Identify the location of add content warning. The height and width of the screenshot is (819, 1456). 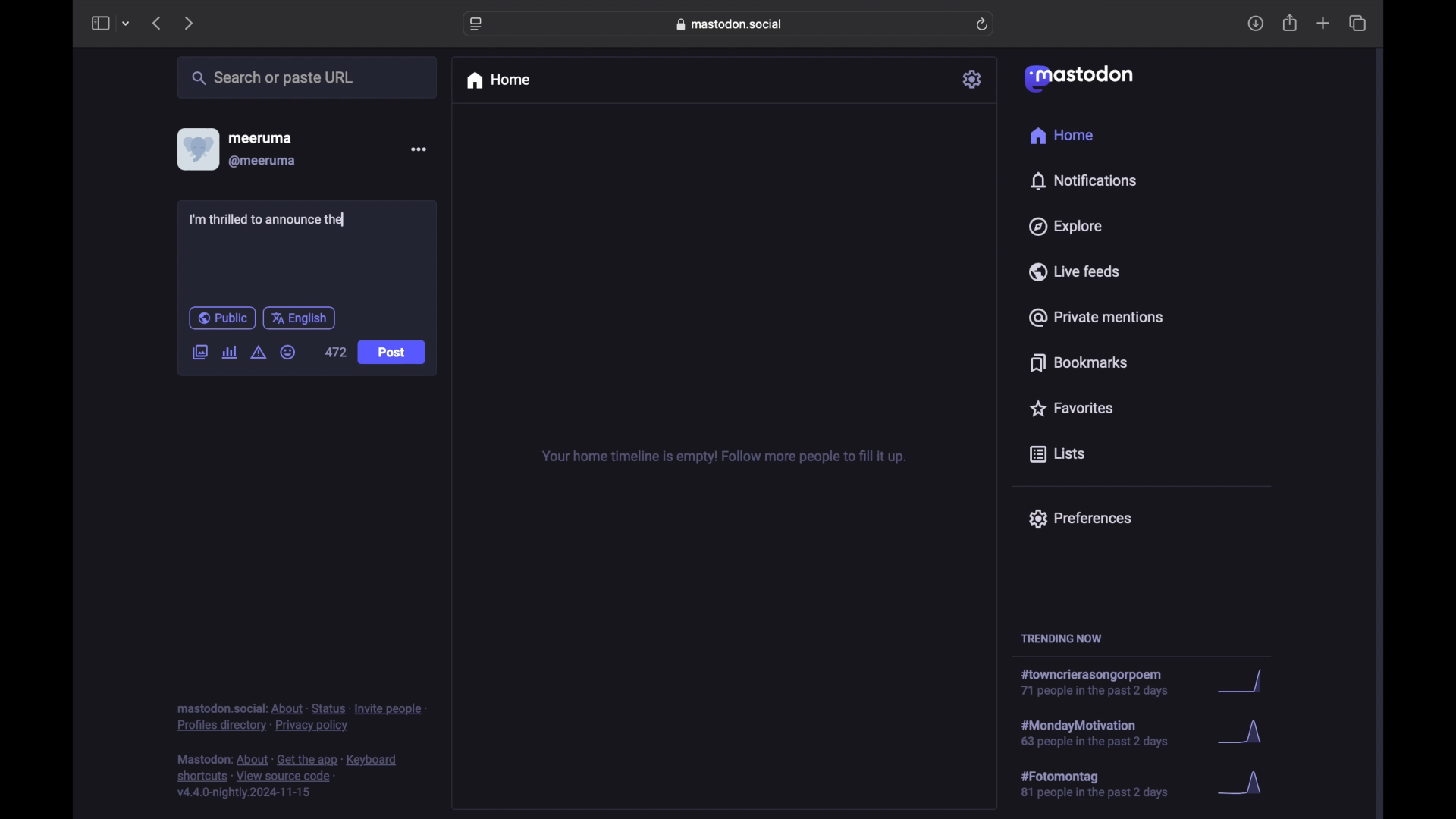
(260, 353).